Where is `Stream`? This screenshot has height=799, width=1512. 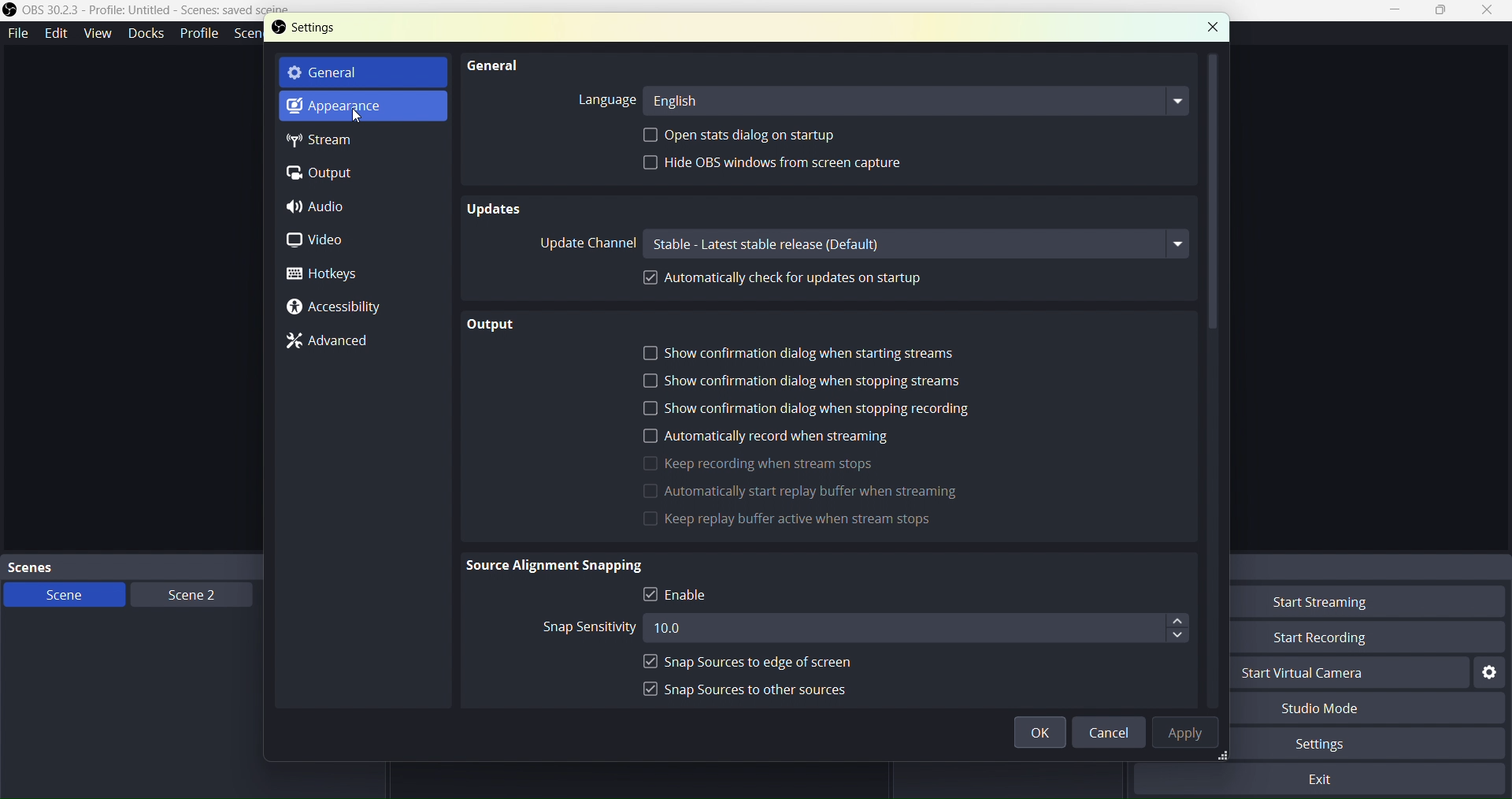 Stream is located at coordinates (336, 142).